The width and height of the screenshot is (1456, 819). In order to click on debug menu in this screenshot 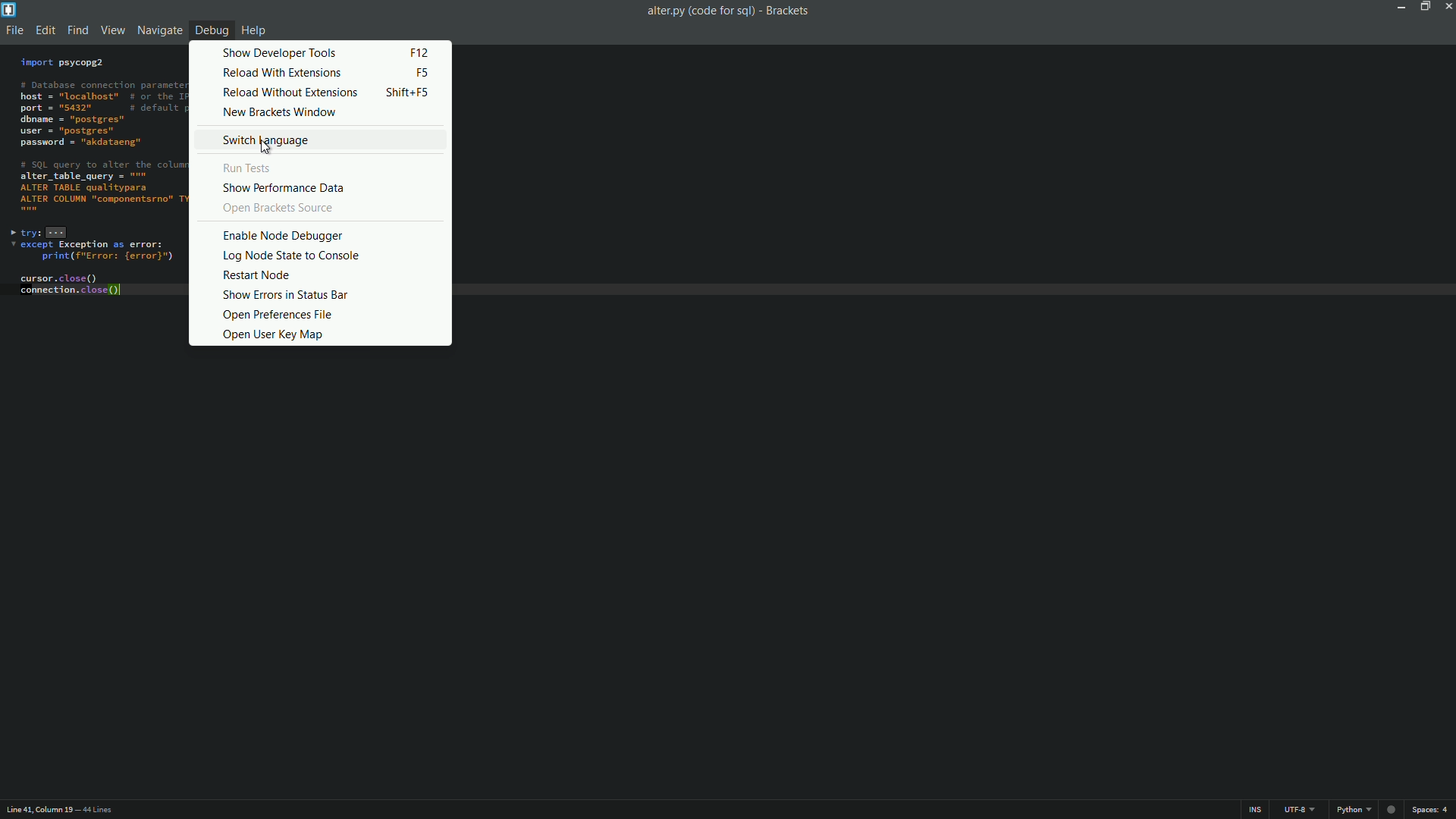, I will do `click(209, 31)`.